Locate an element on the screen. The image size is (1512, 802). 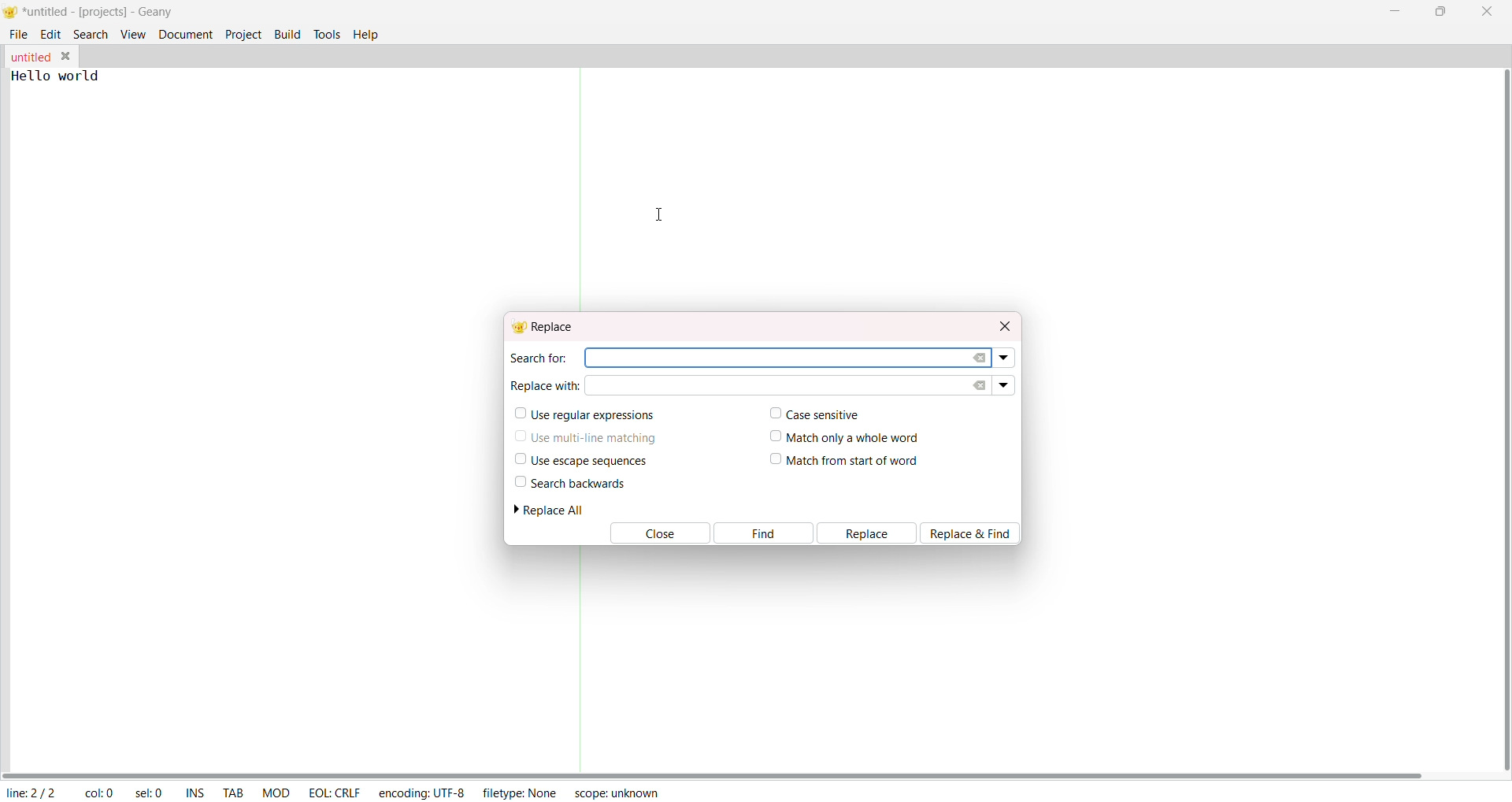
ins is located at coordinates (195, 794).